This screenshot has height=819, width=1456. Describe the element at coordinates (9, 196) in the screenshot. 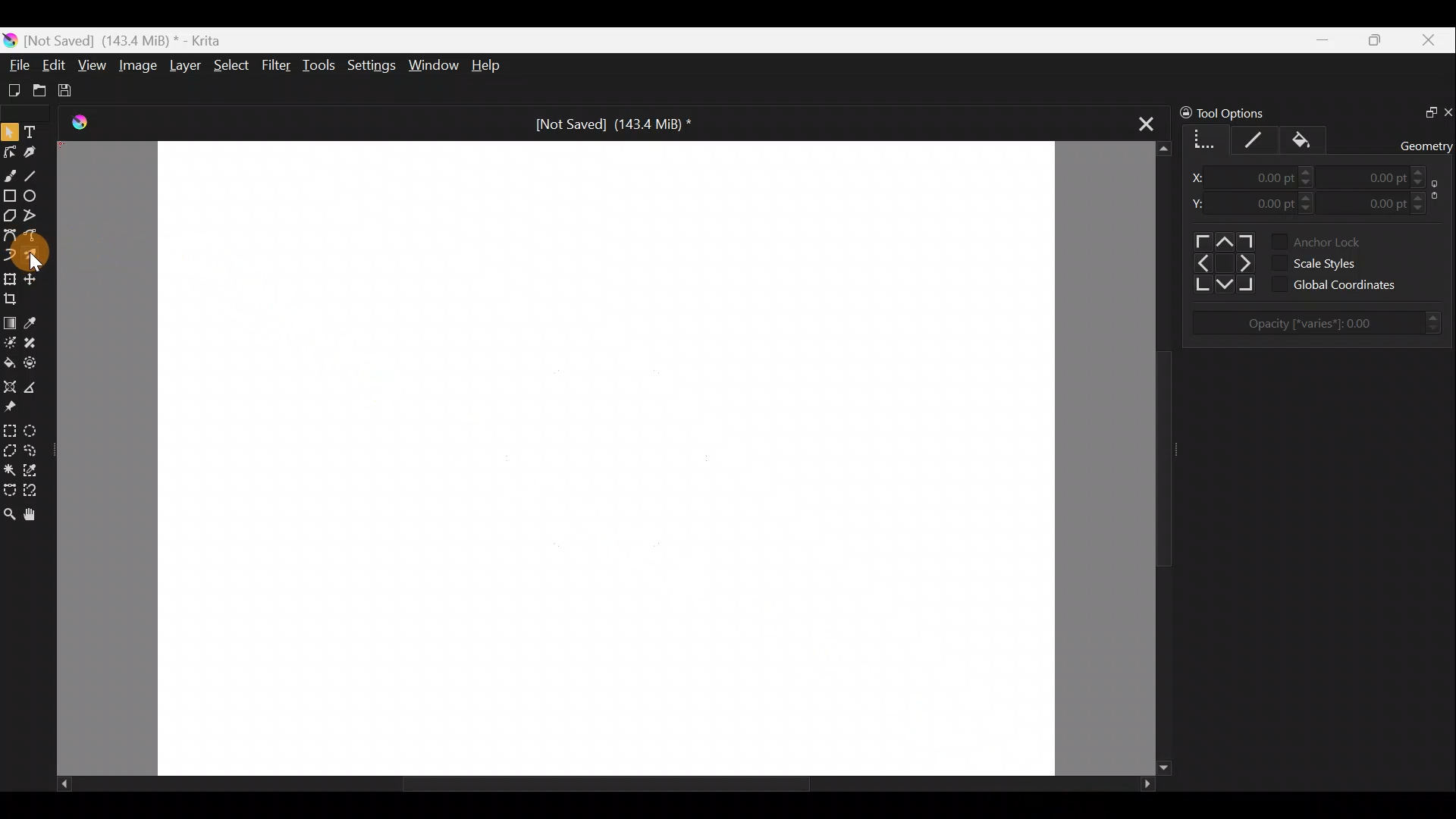

I see `Rectangle` at that location.